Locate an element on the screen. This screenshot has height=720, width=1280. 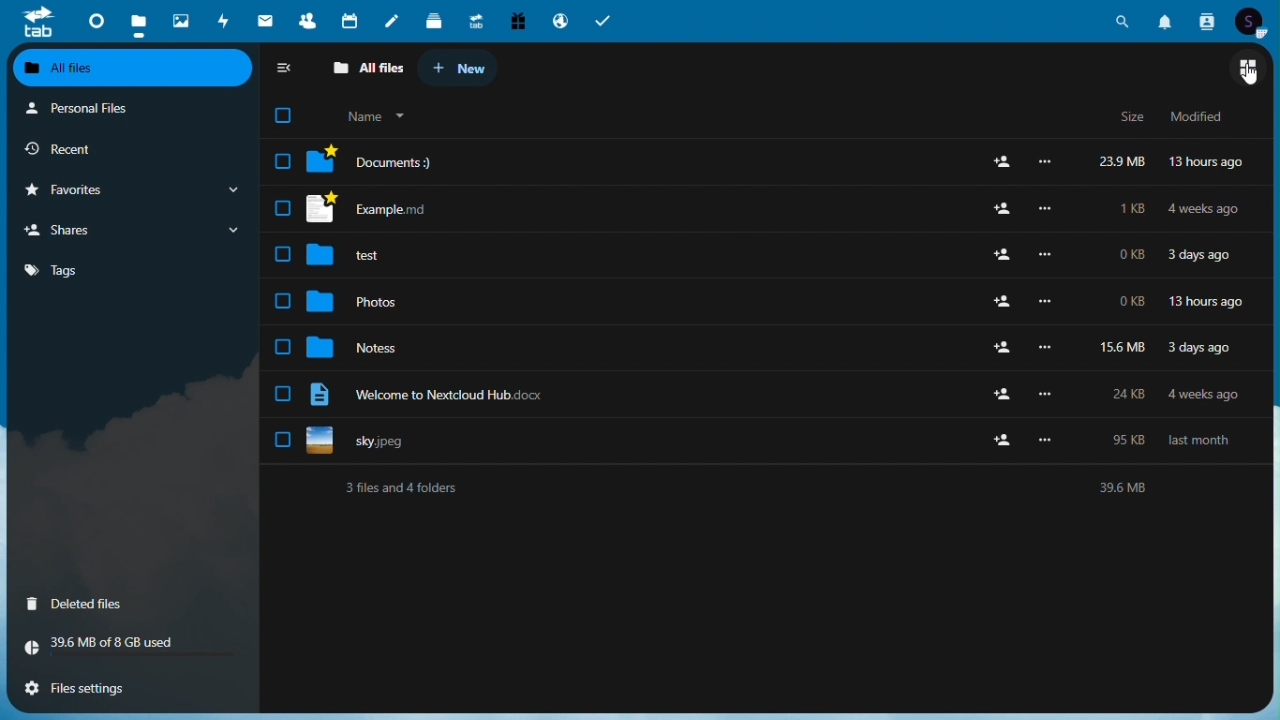
Contacts is located at coordinates (1207, 21).